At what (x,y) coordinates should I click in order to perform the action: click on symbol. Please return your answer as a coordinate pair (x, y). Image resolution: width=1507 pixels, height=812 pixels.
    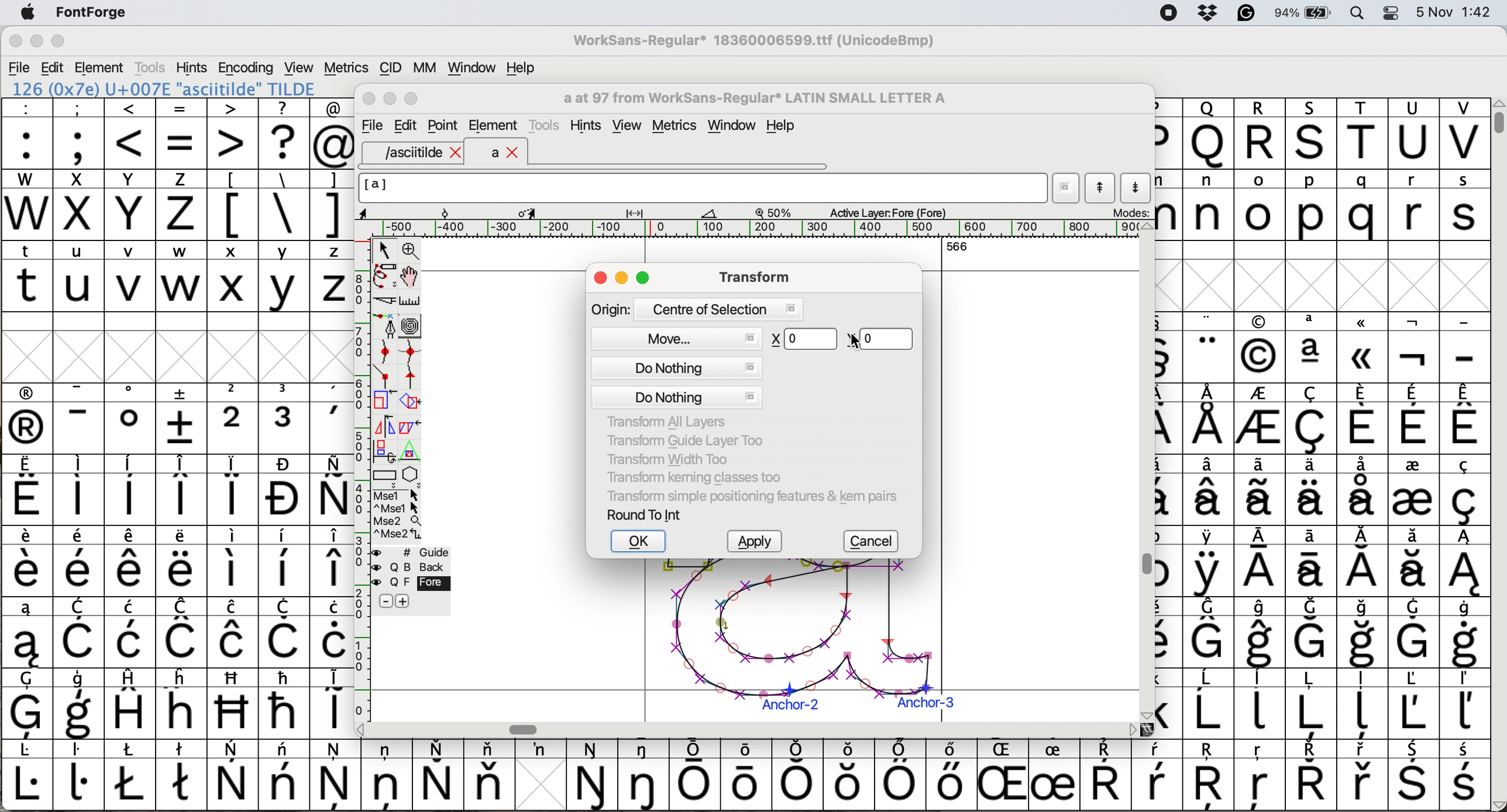
    Looking at the image, I should click on (1412, 489).